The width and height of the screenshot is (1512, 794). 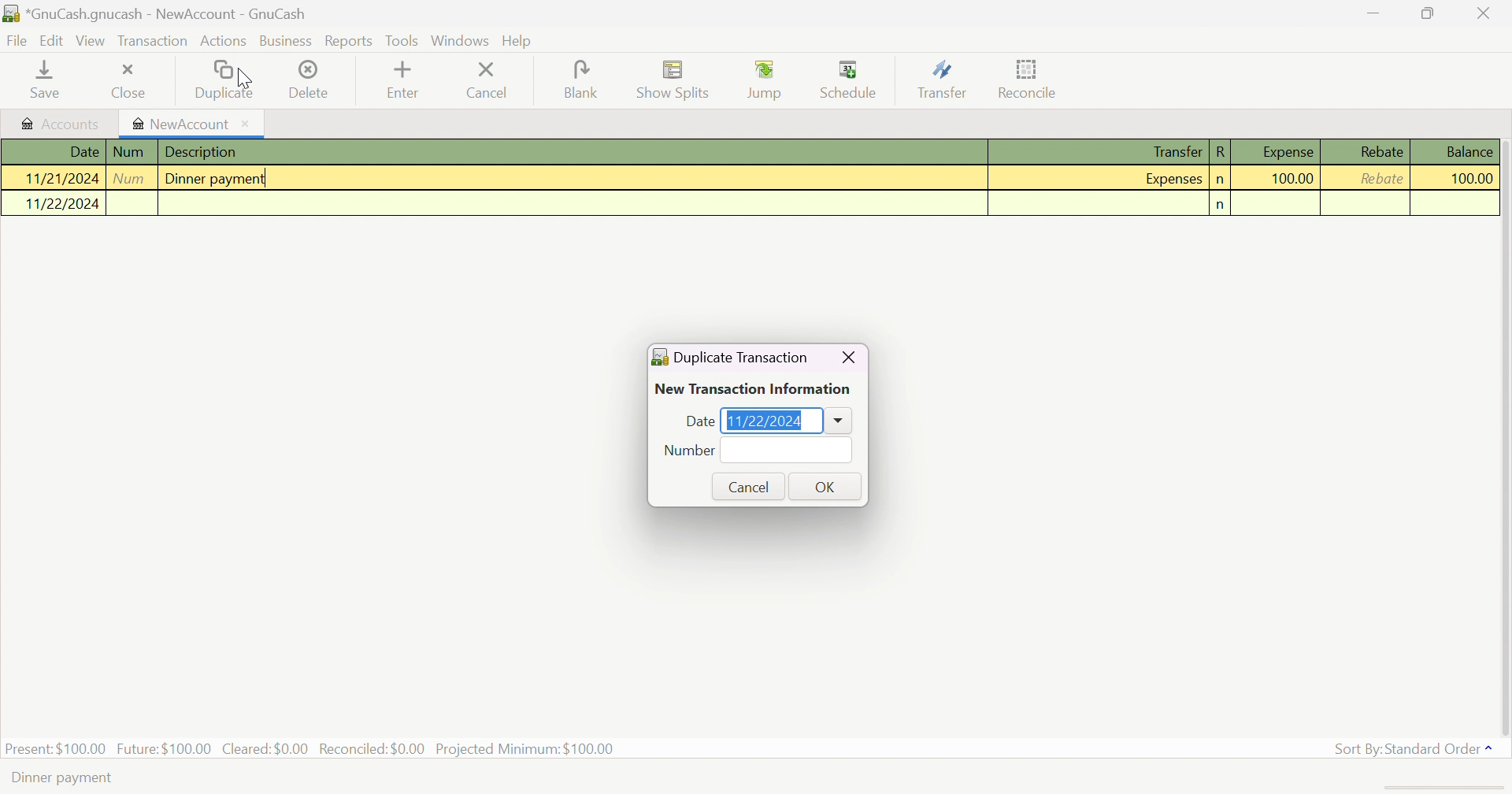 What do you see at coordinates (1170, 180) in the screenshot?
I see `Expenses` at bounding box center [1170, 180].